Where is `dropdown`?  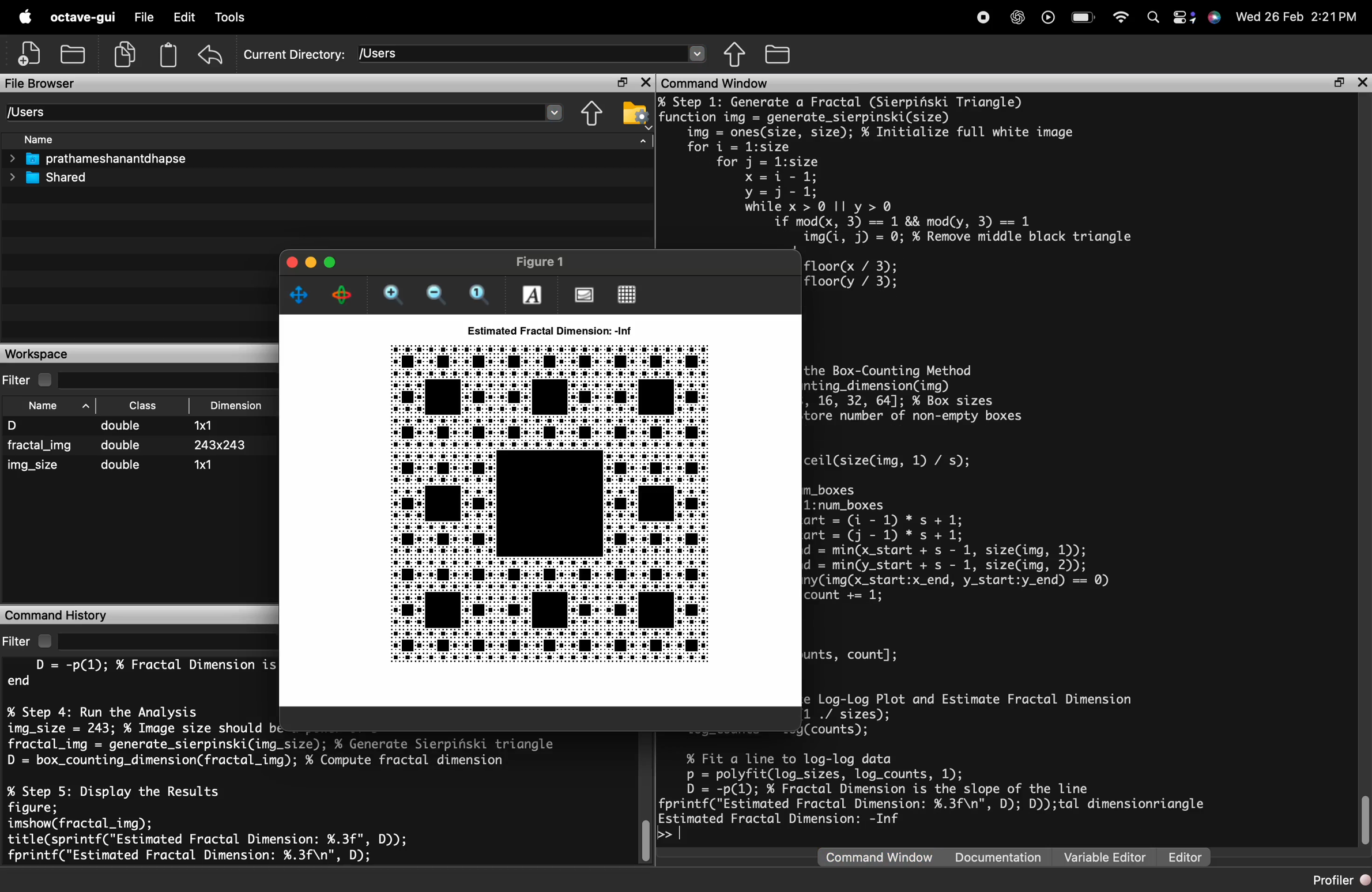
dropdown is located at coordinates (700, 52).